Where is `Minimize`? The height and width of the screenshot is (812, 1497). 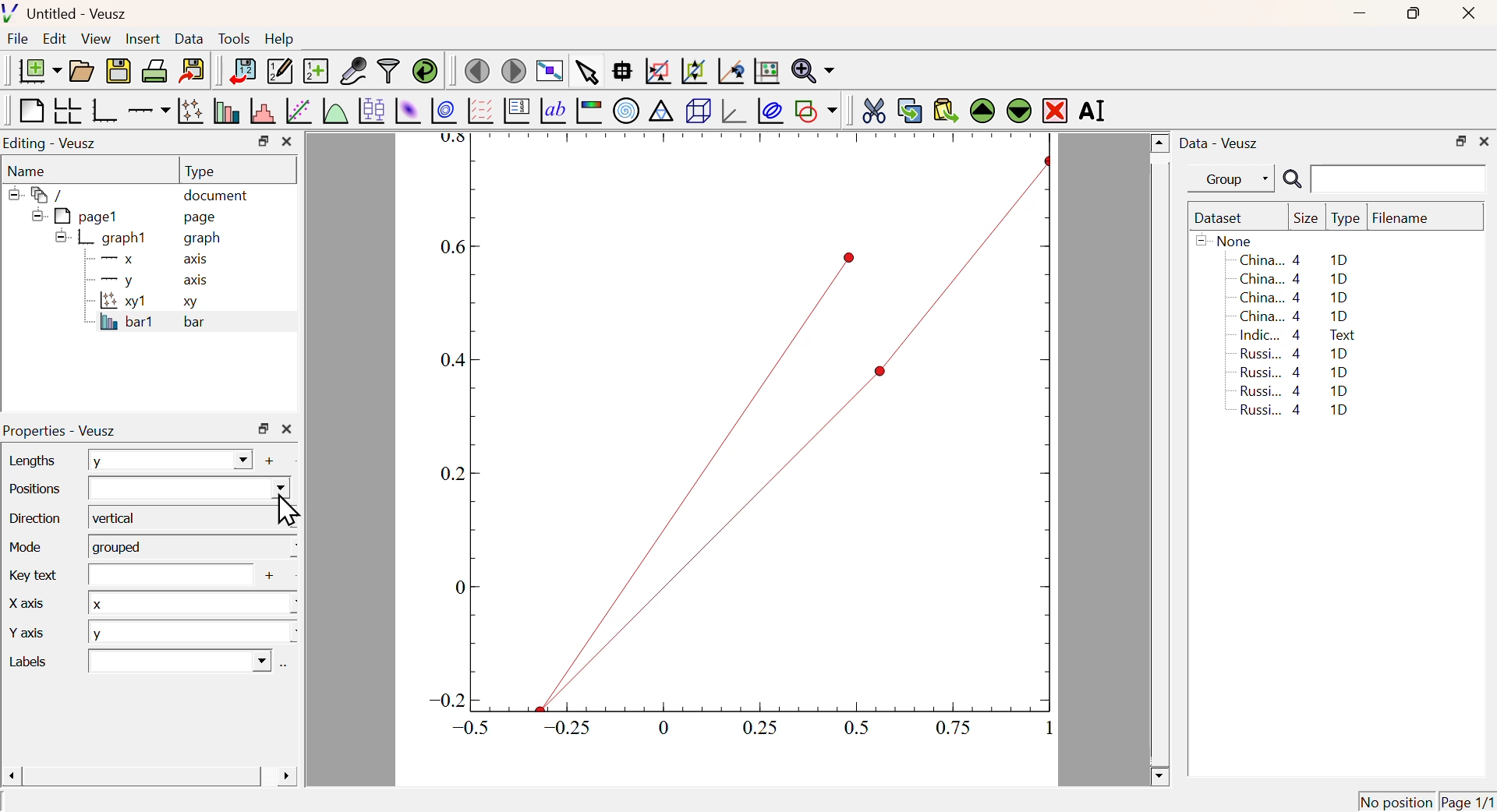 Minimize is located at coordinates (1360, 14).